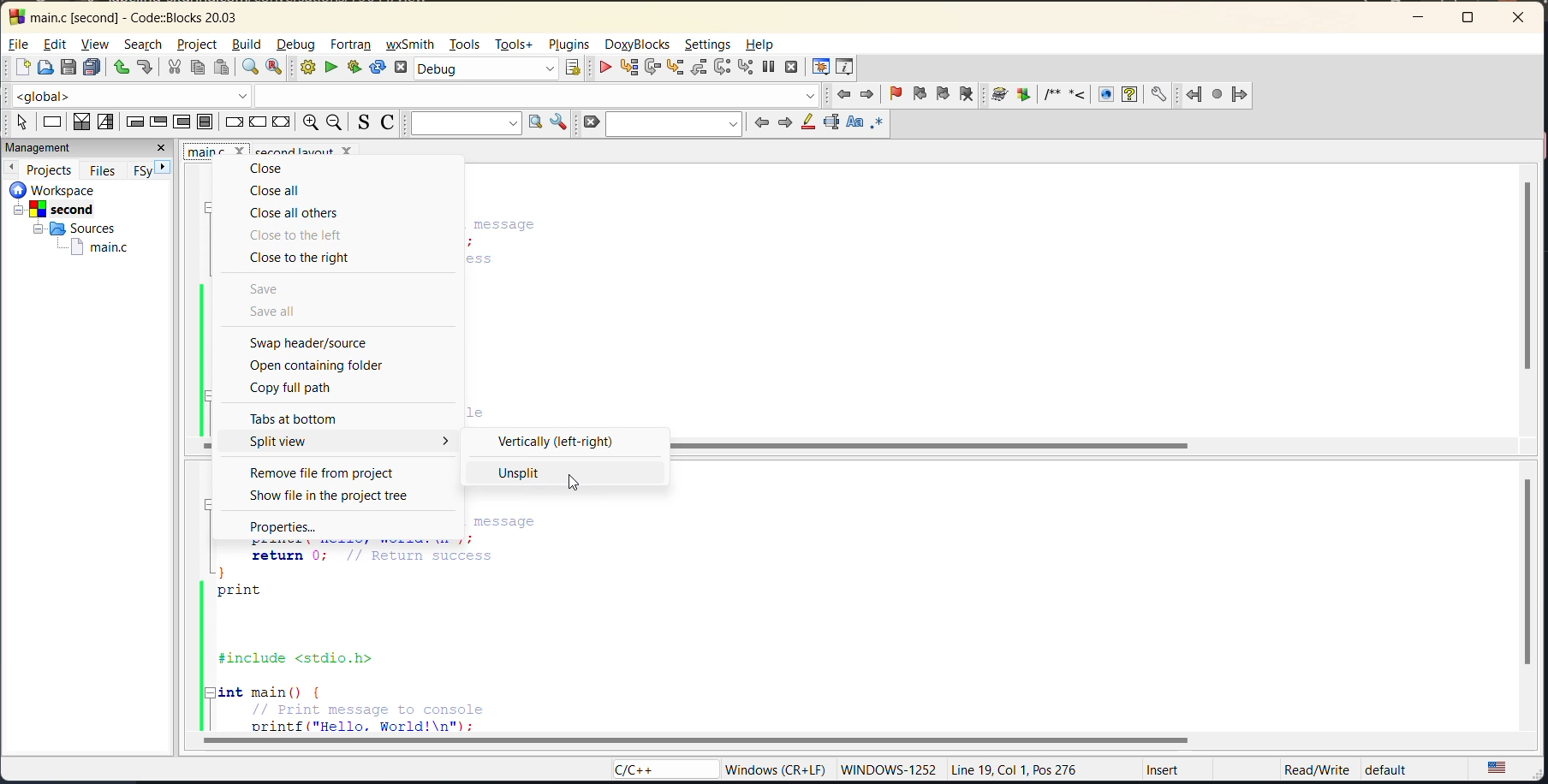 The image size is (1548, 784). What do you see at coordinates (639, 44) in the screenshot?
I see `doxyblocks` at bounding box center [639, 44].